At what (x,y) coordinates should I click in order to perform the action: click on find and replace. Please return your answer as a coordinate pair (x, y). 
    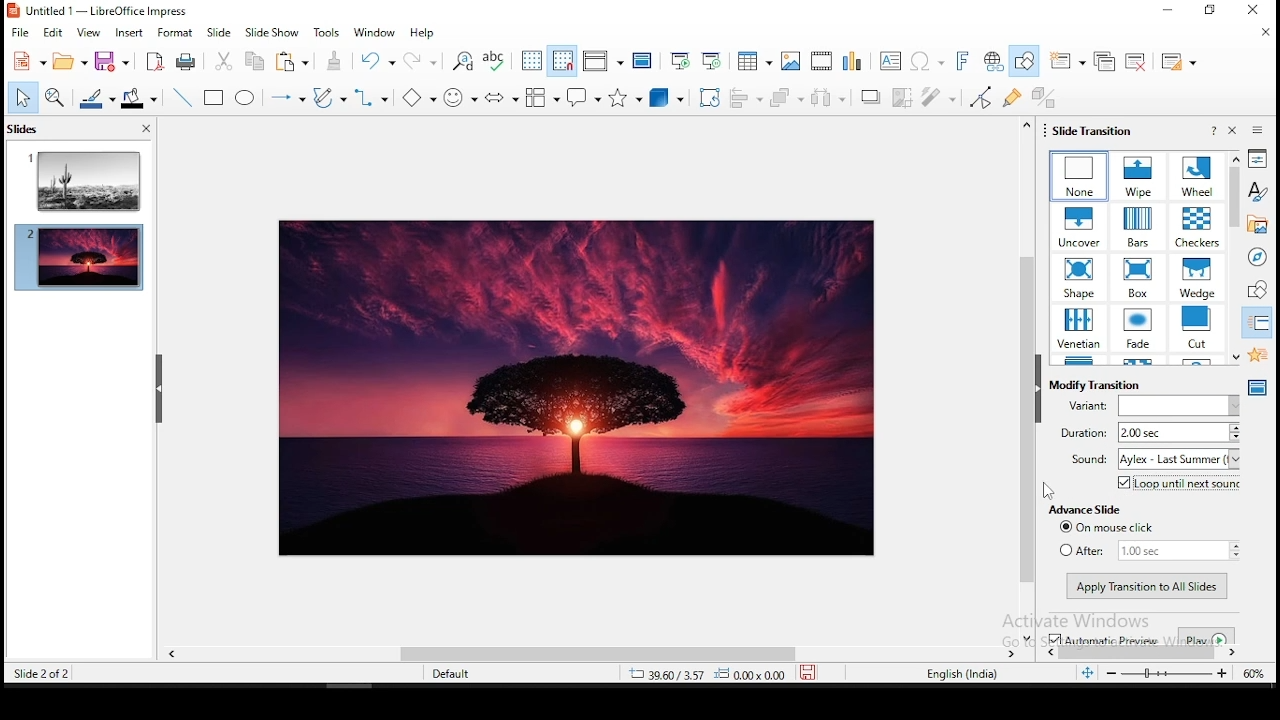
    Looking at the image, I should click on (465, 61).